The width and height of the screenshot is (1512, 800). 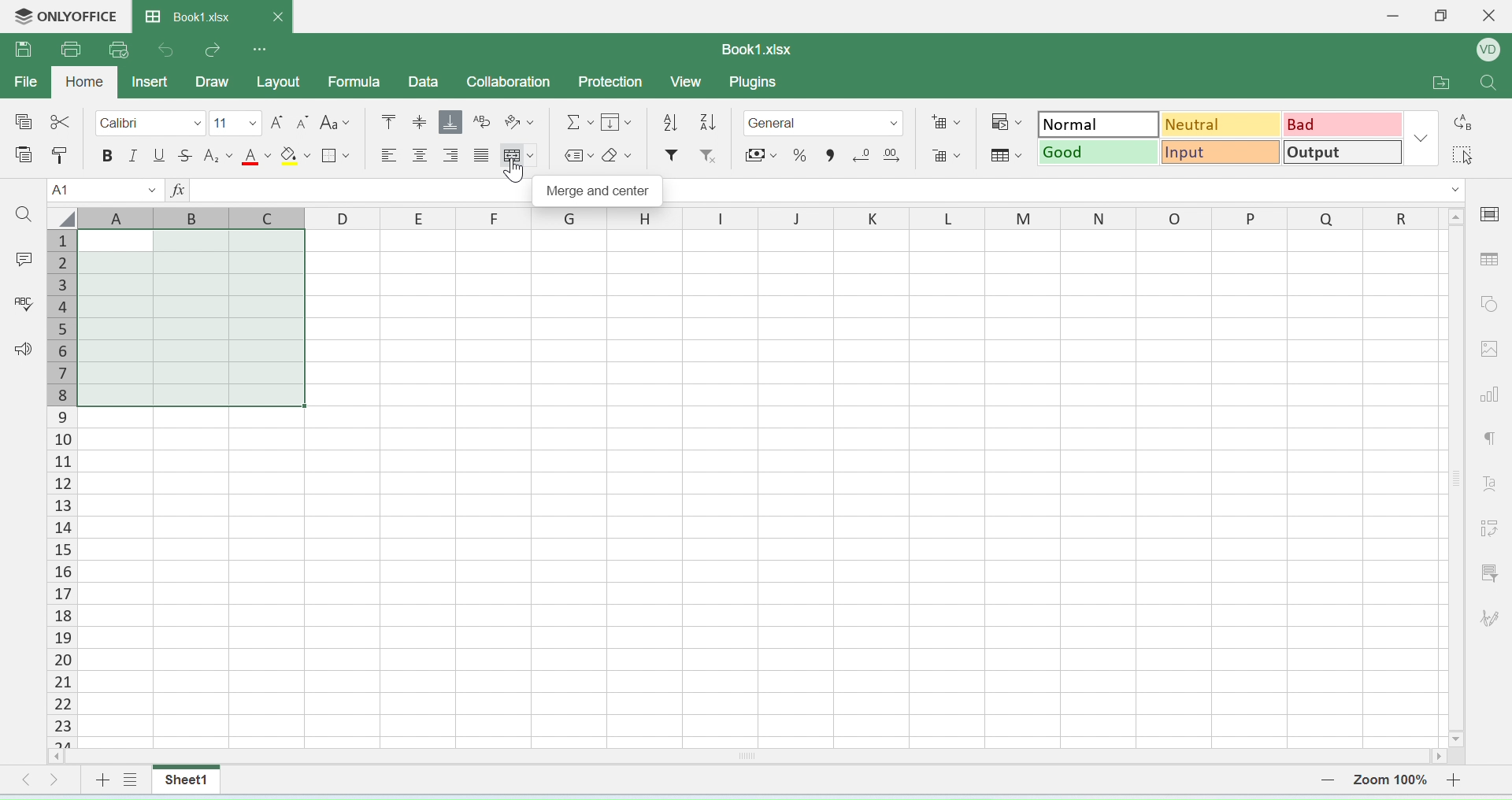 What do you see at coordinates (74, 47) in the screenshot?
I see `print` at bounding box center [74, 47].